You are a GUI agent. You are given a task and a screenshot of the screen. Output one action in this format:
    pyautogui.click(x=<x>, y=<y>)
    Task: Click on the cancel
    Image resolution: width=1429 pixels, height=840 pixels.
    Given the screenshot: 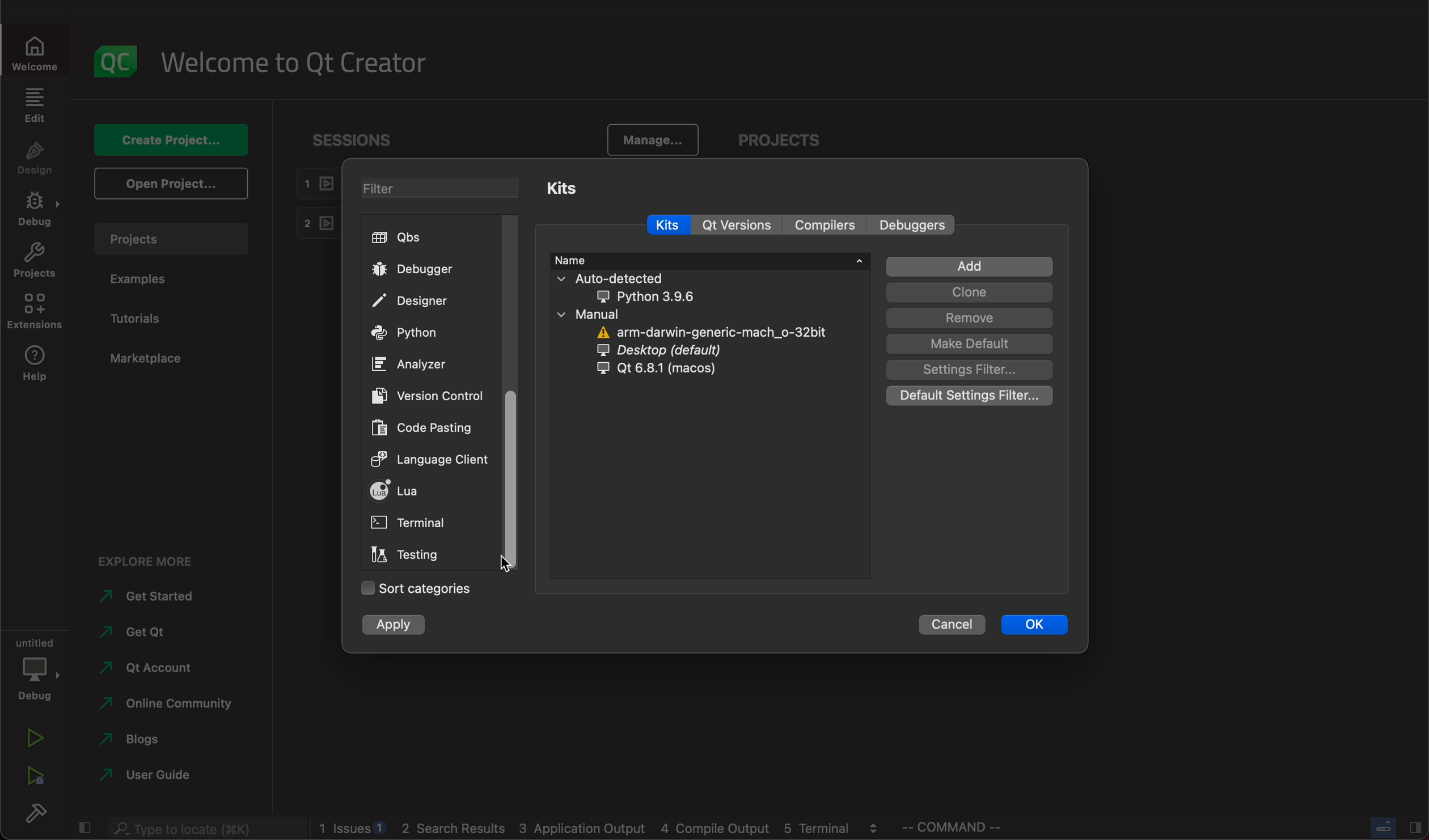 What is the action you would take?
    pyautogui.click(x=952, y=624)
    